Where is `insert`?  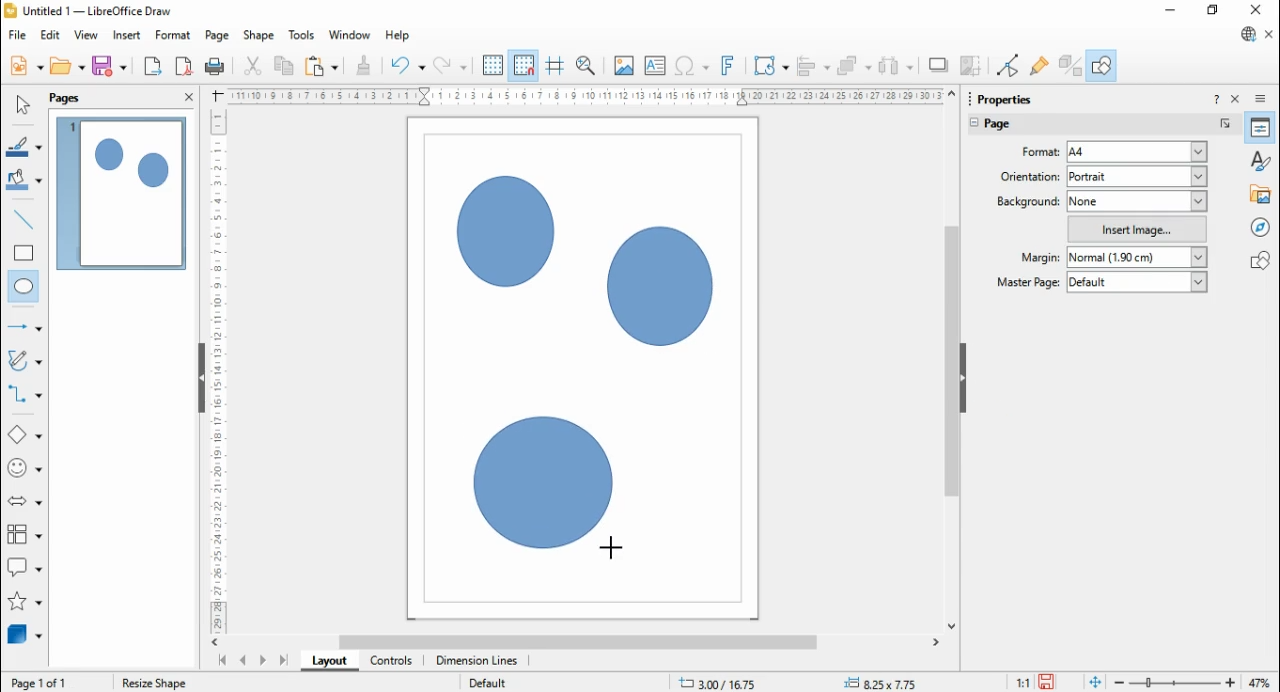 insert is located at coordinates (126, 36).